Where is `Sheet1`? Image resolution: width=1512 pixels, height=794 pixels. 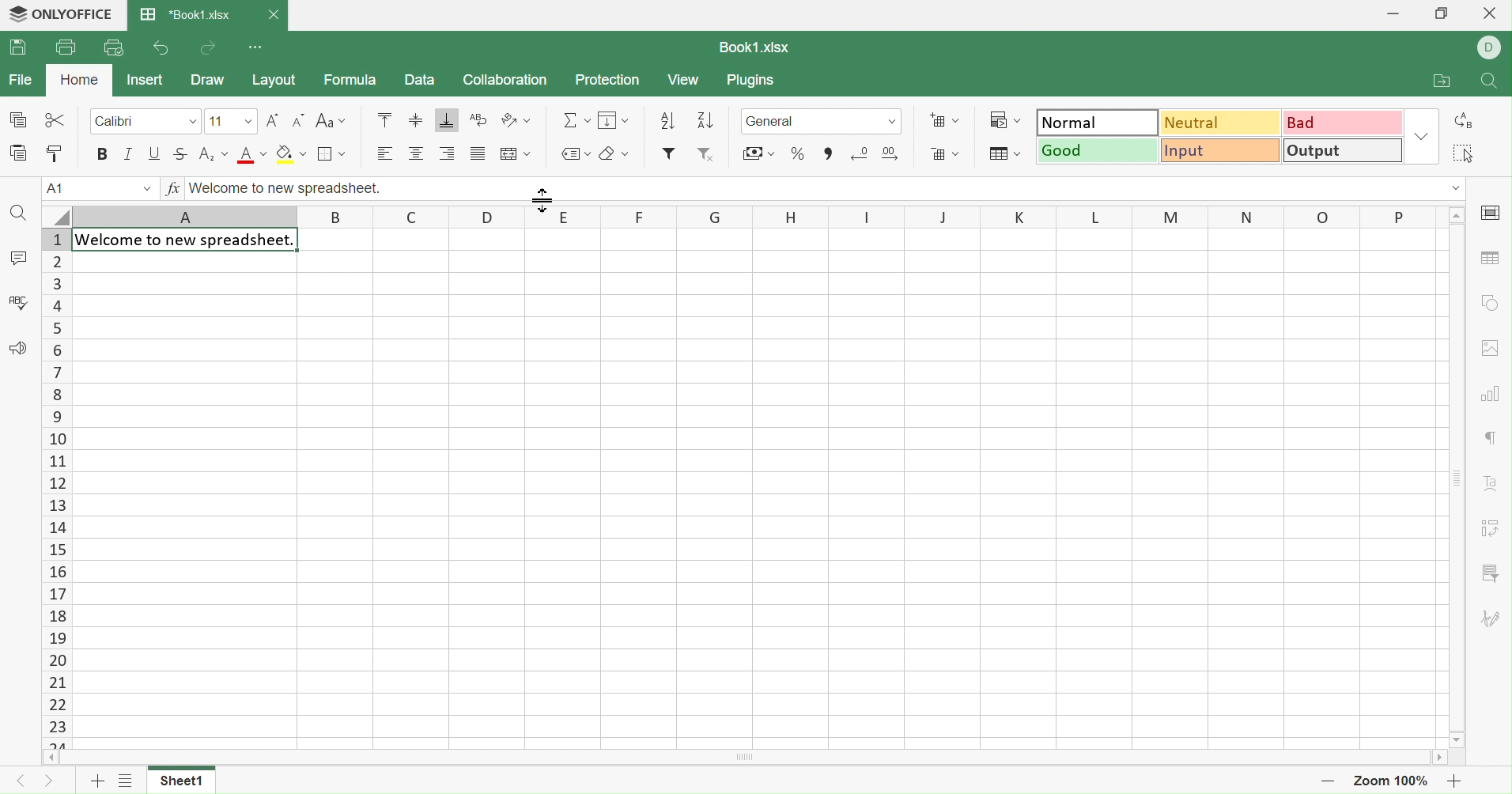
Sheet1 is located at coordinates (185, 781).